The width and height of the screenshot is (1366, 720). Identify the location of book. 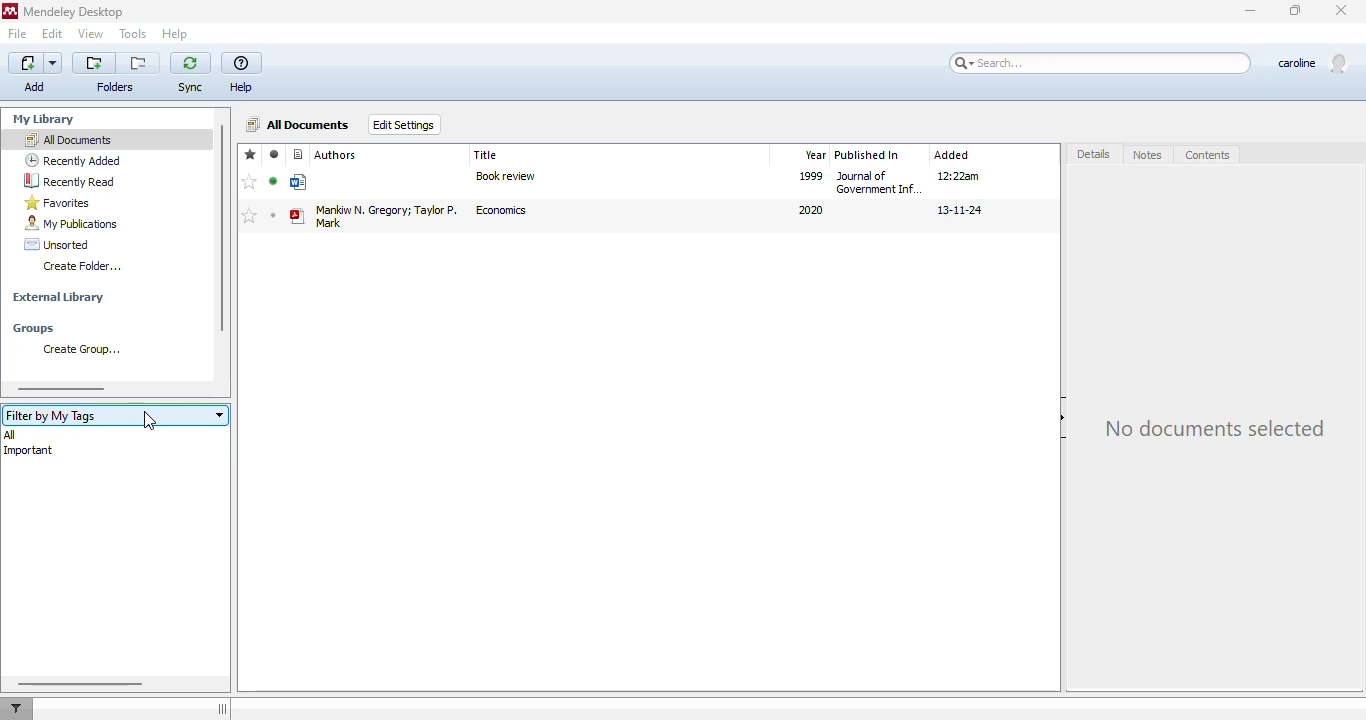
(297, 217).